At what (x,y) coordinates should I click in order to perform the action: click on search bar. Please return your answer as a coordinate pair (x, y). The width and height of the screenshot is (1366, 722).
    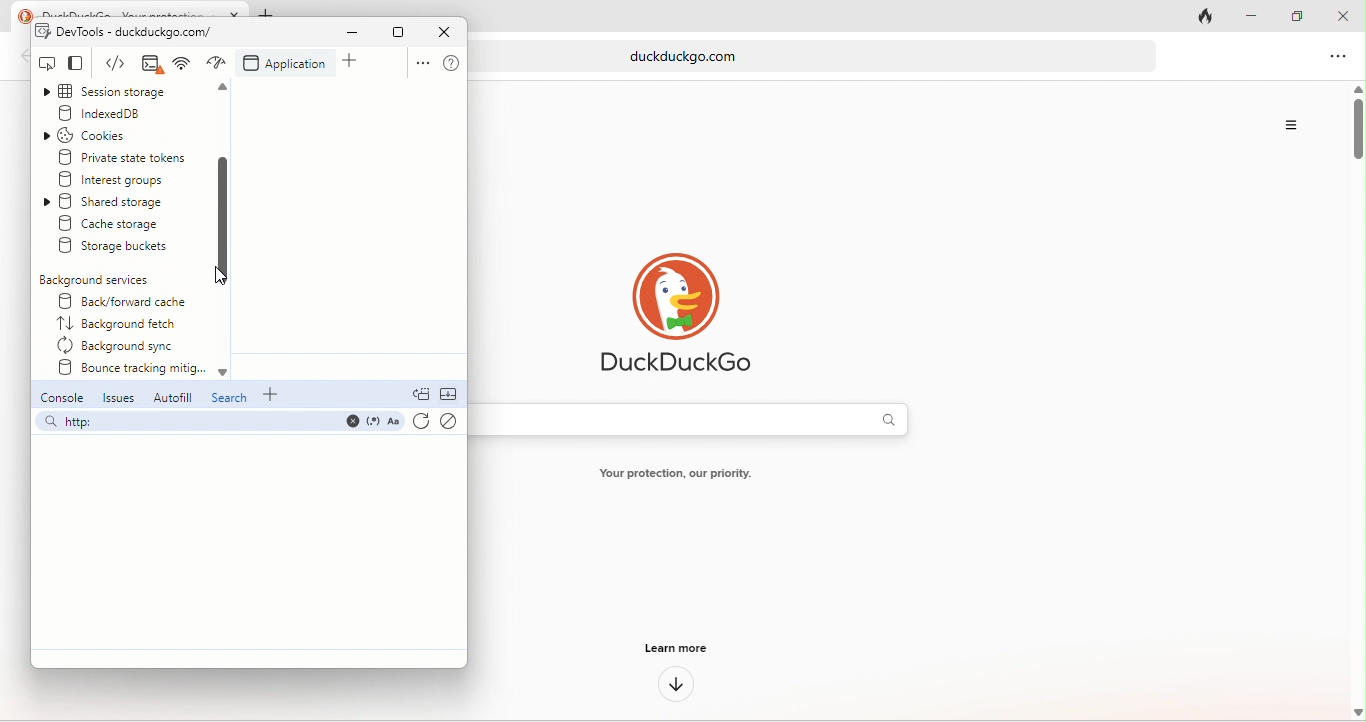
    Looking at the image, I should click on (700, 419).